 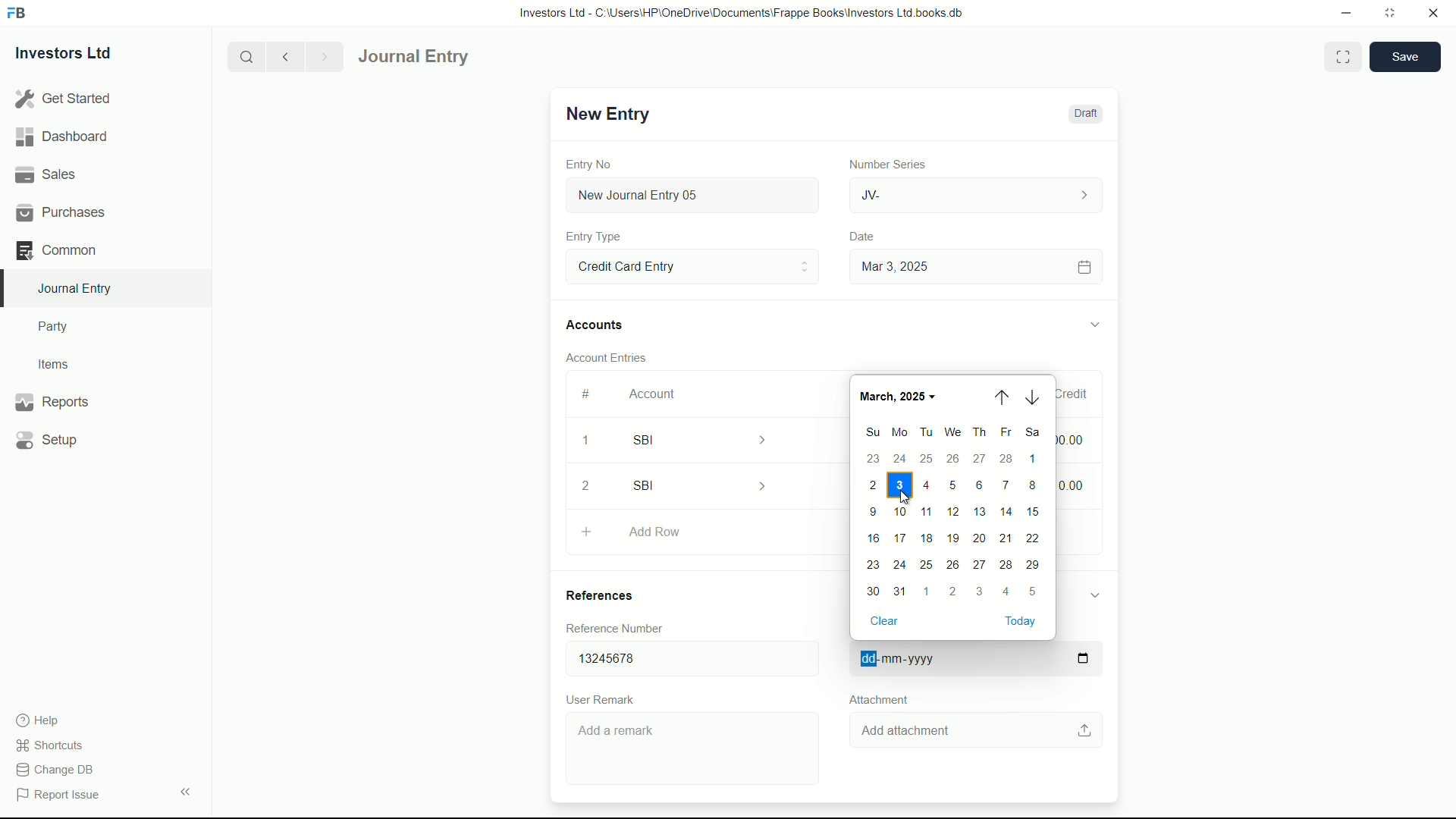 I want to click on expand/collapse, so click(x=185, y=790).